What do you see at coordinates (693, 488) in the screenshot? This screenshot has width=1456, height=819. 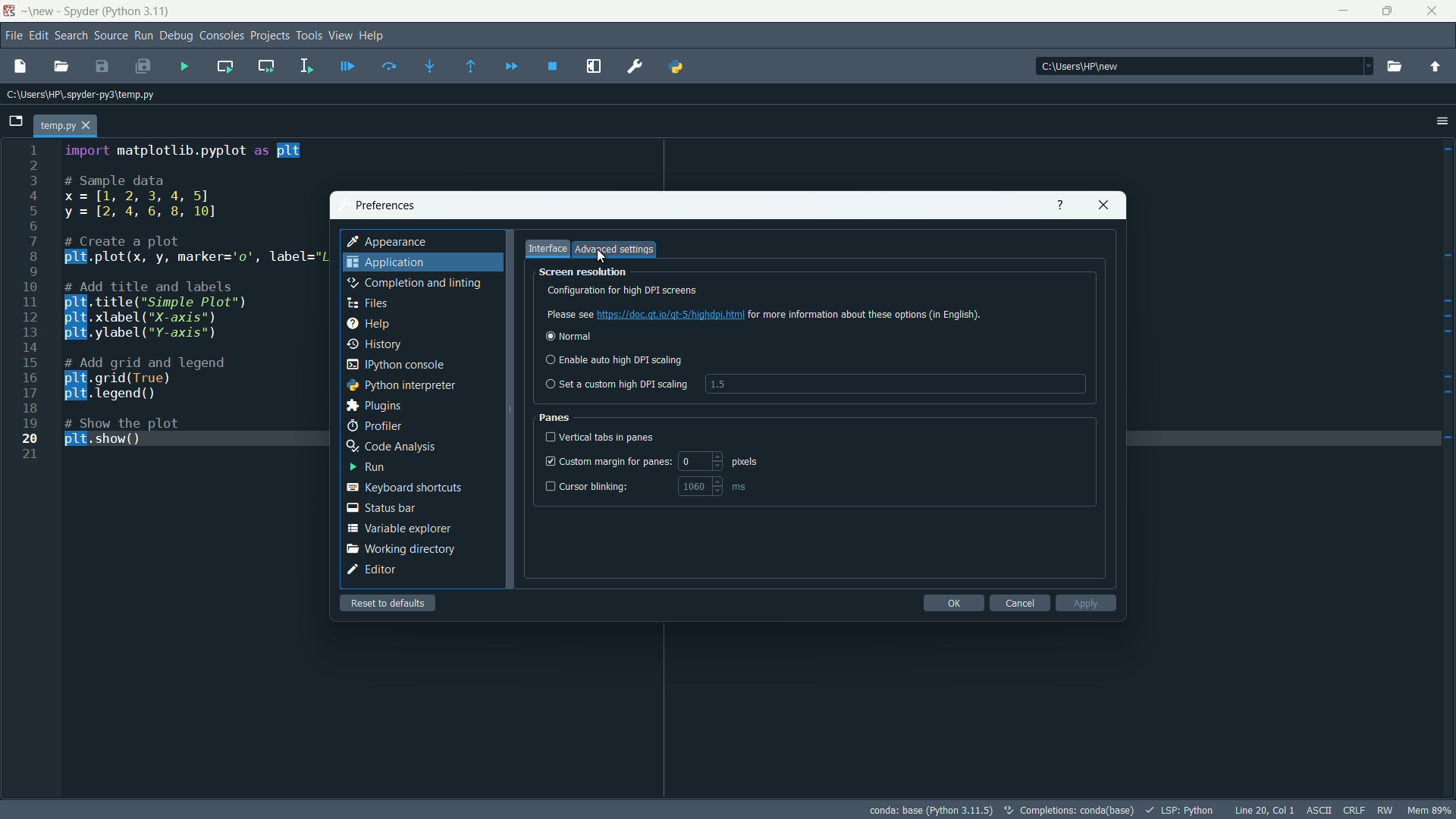 I see `1060` at bounding box center [693, 488].